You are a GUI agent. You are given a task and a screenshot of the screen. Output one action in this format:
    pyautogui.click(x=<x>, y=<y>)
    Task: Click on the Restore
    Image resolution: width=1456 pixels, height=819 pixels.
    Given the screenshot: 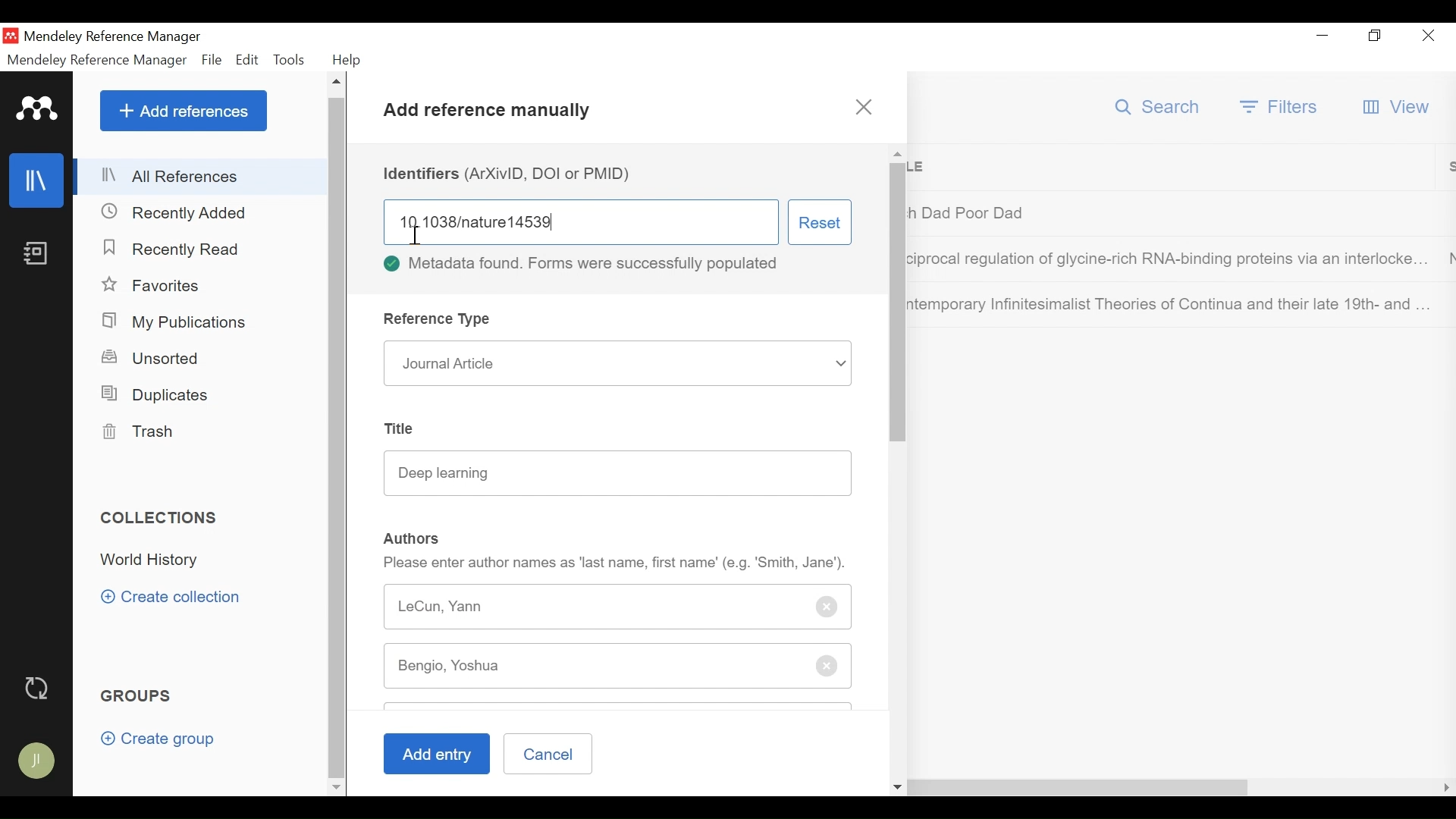 What is the action you would take?
    pyautogui.click(x=1373, y=36)
    